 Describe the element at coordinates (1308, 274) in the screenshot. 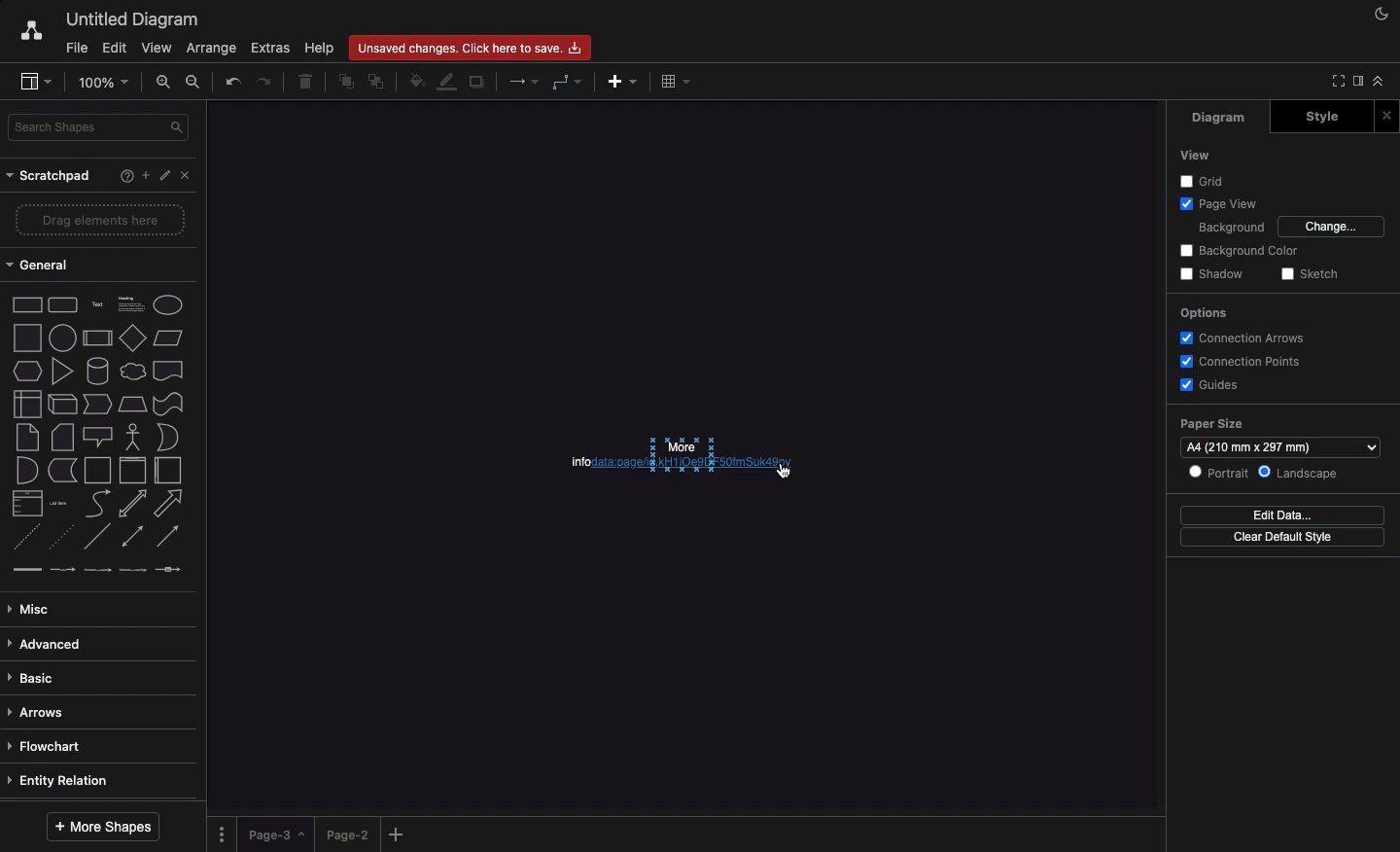

I see `Sketch` at that location.